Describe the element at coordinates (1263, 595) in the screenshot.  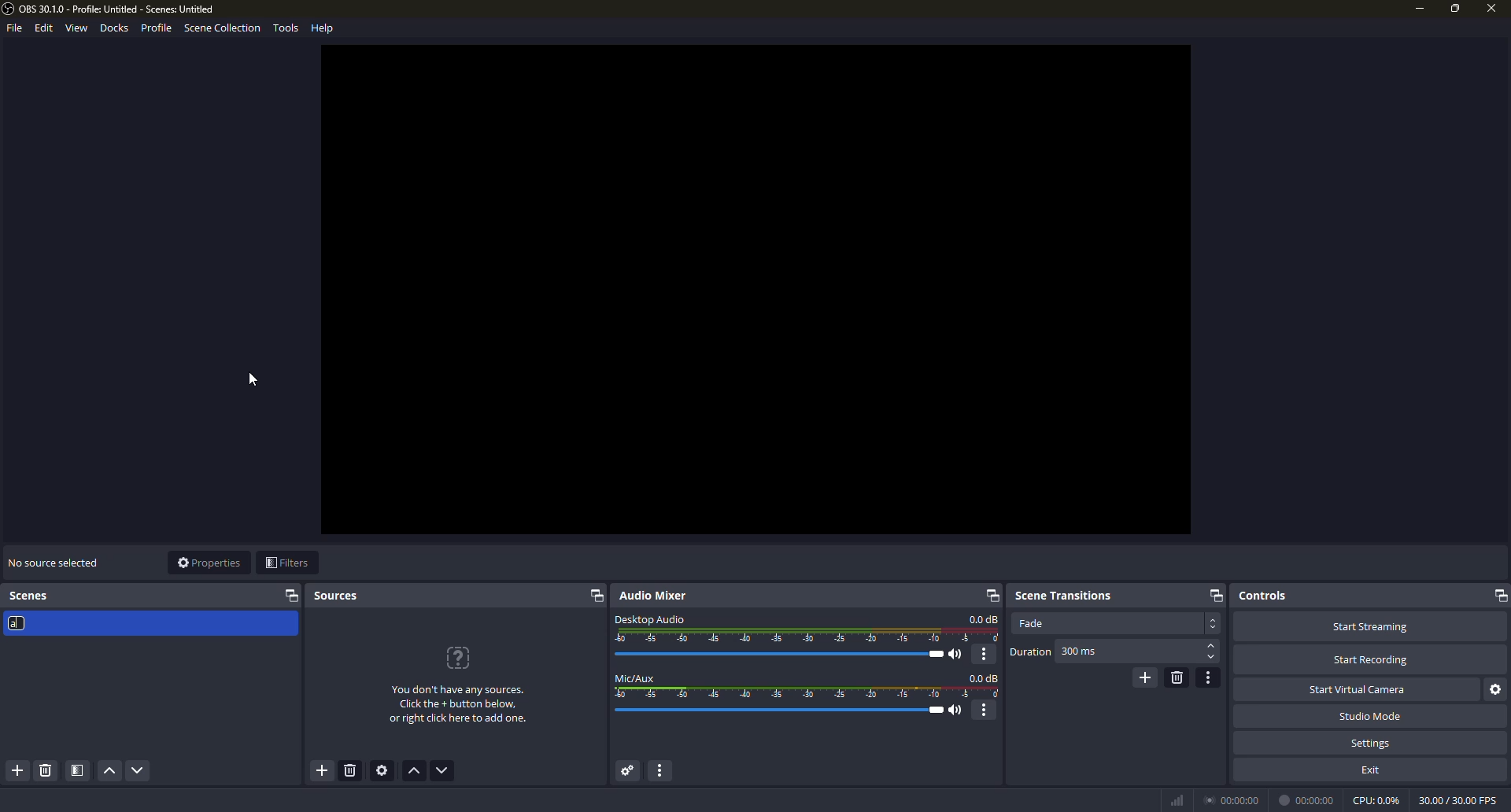
I see `controls` at that location.